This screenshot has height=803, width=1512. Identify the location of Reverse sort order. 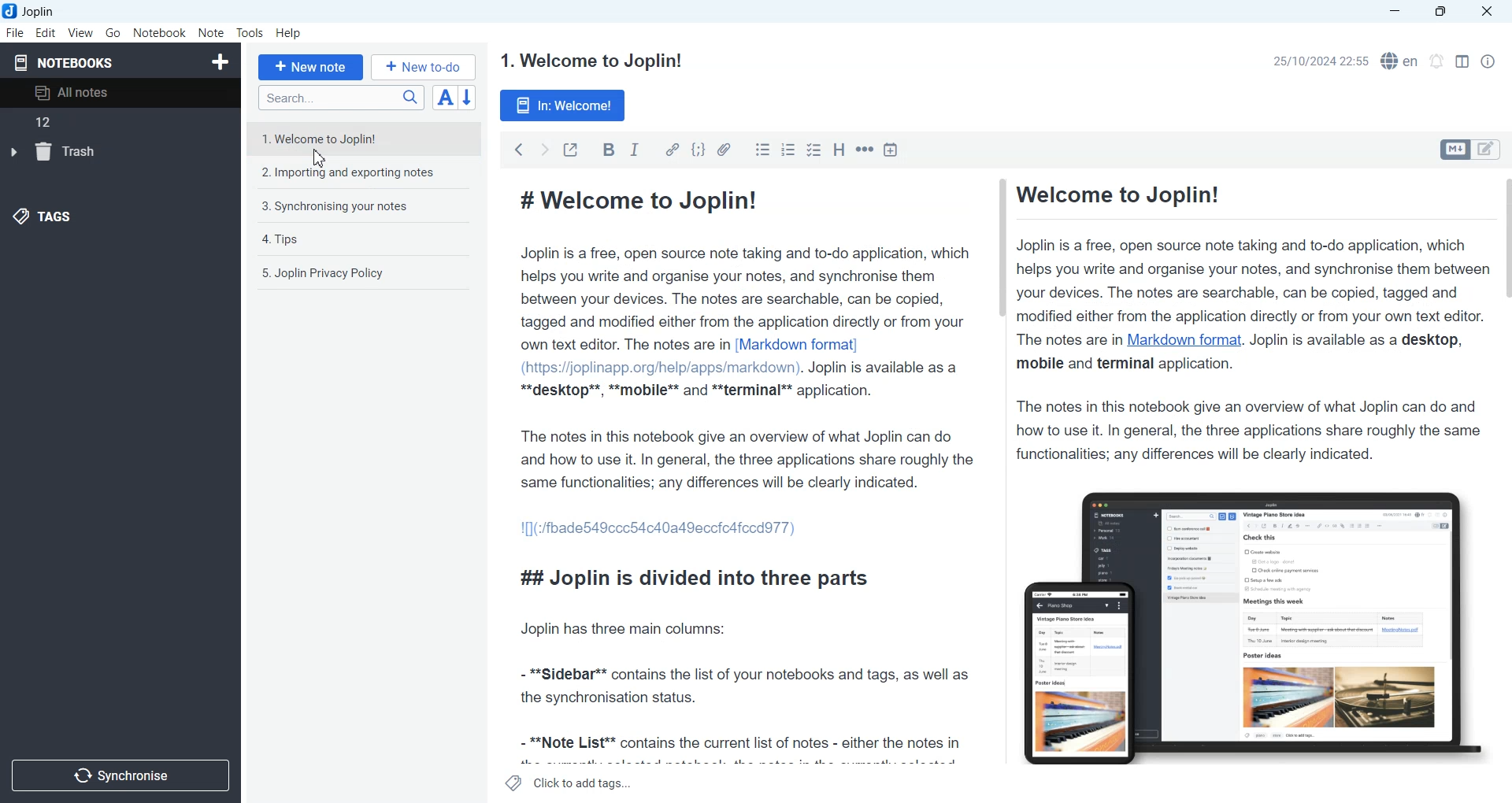
(469, 98).